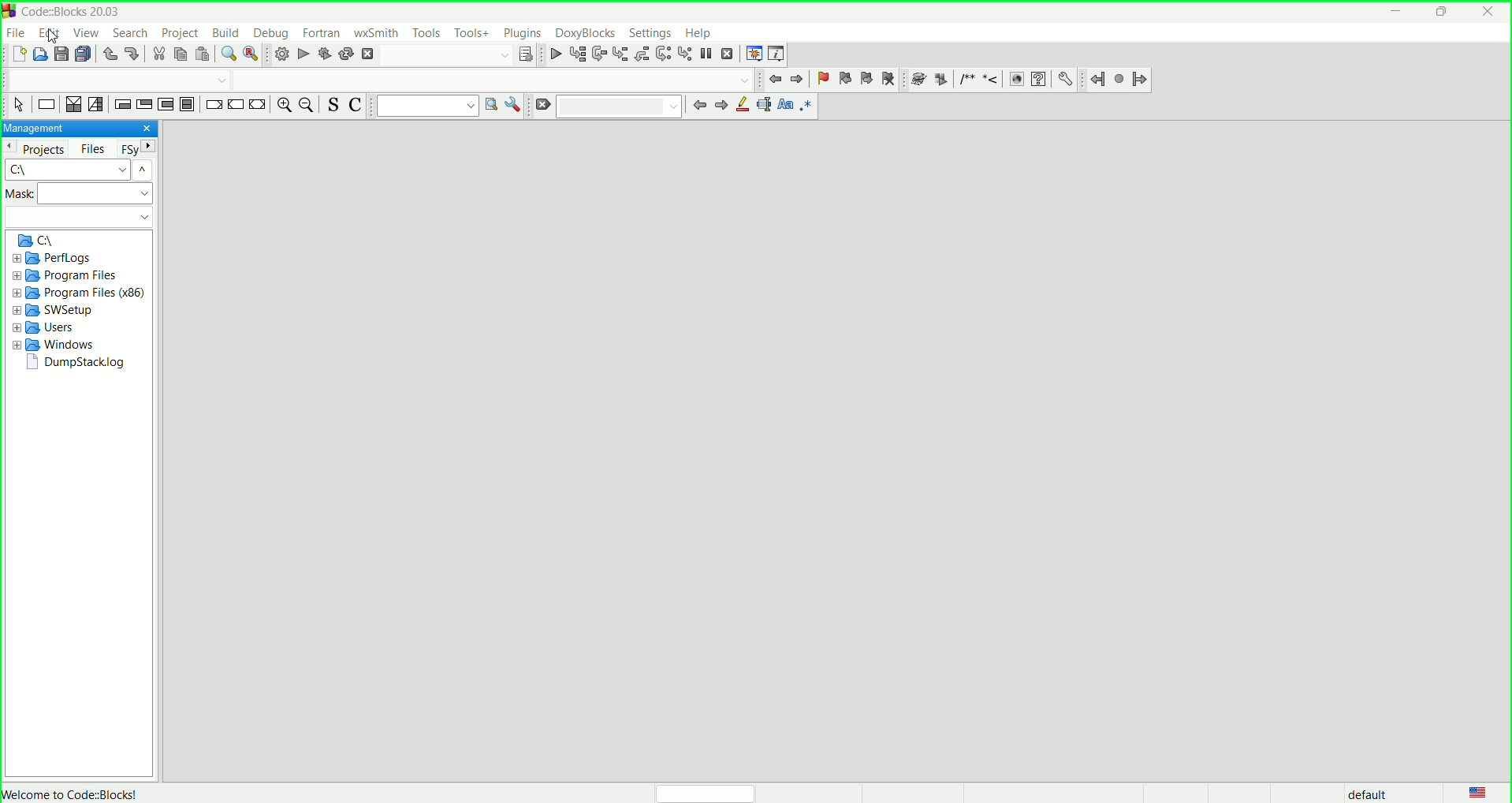 This screenshot has height=803, width=1512. What do you see at coordinates (74, 364) in the screenshot?
I see `dumpstack.log` at bounding box center [74, 364].